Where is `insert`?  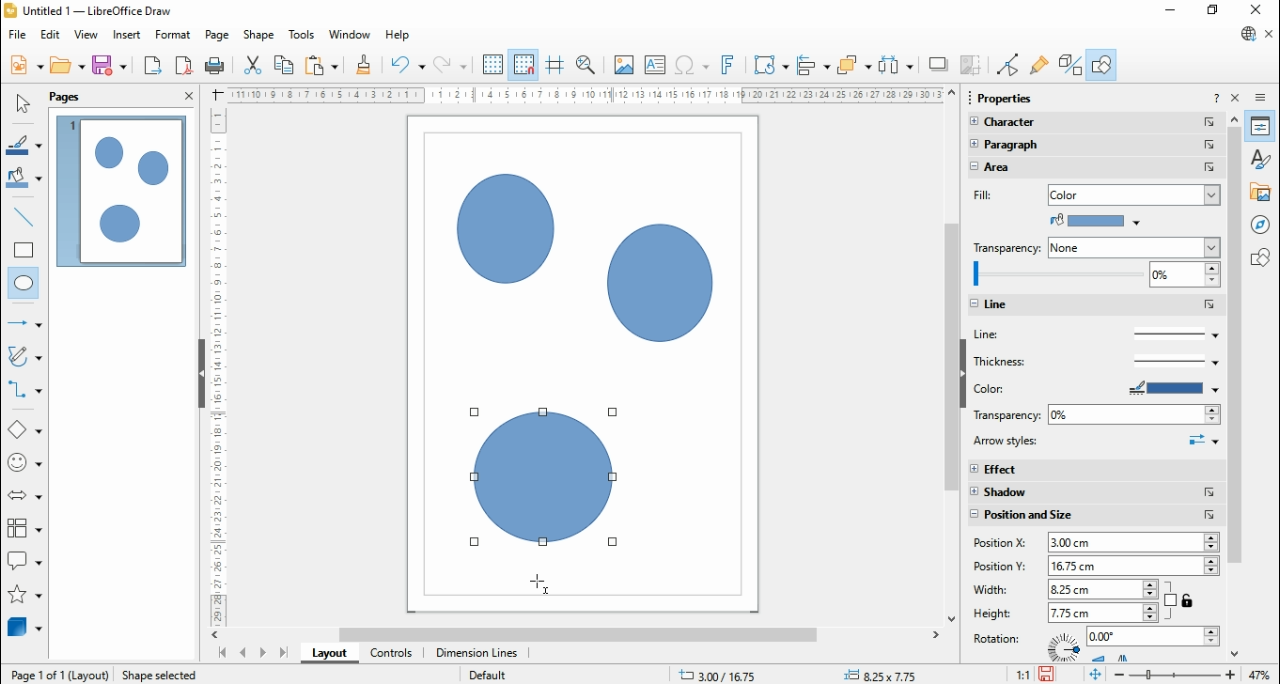
insert is located at coordinates (126, 36).